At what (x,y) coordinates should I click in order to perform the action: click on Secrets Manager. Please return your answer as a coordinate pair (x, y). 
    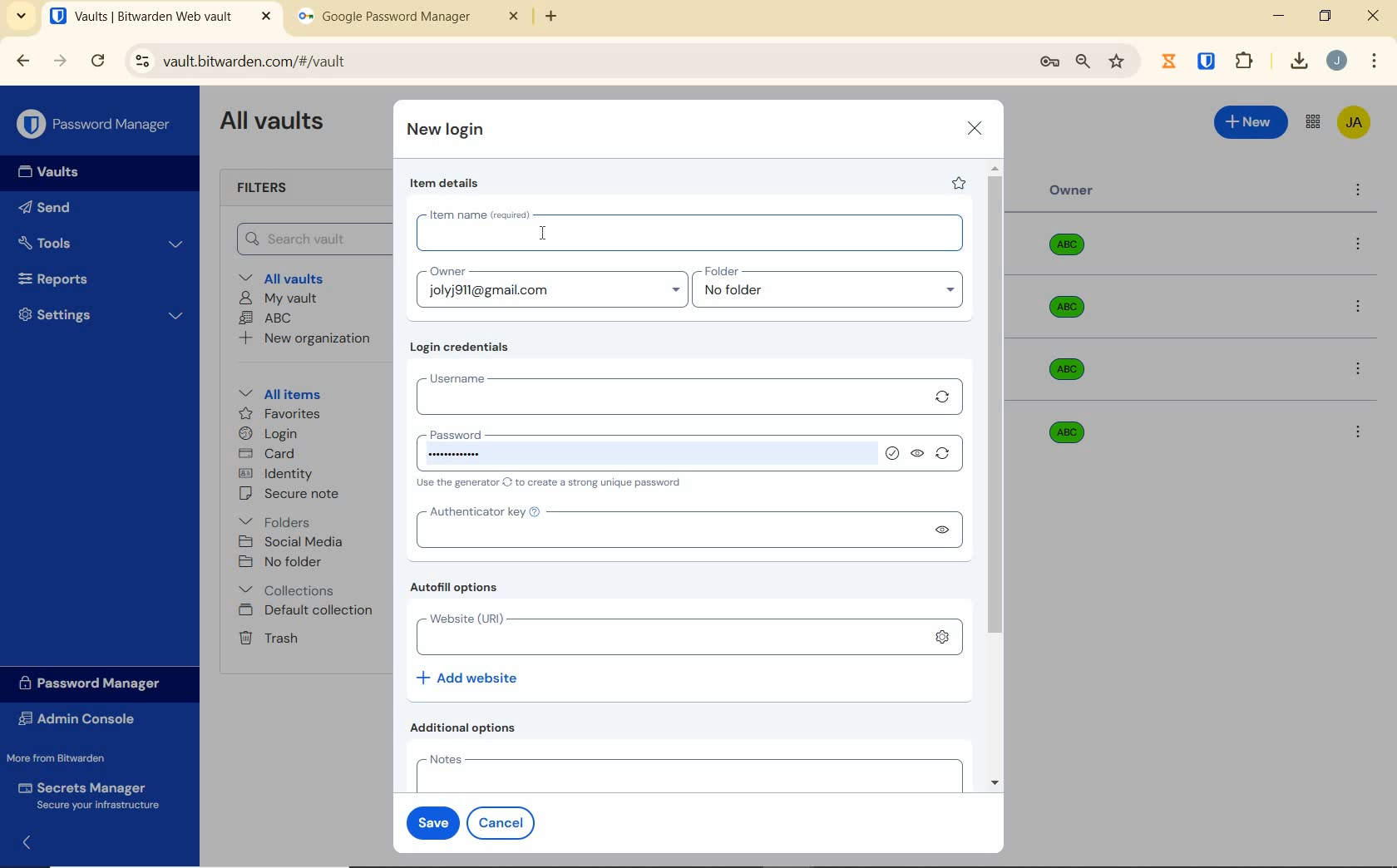
    Looking at the image, I should click on (86, 796).